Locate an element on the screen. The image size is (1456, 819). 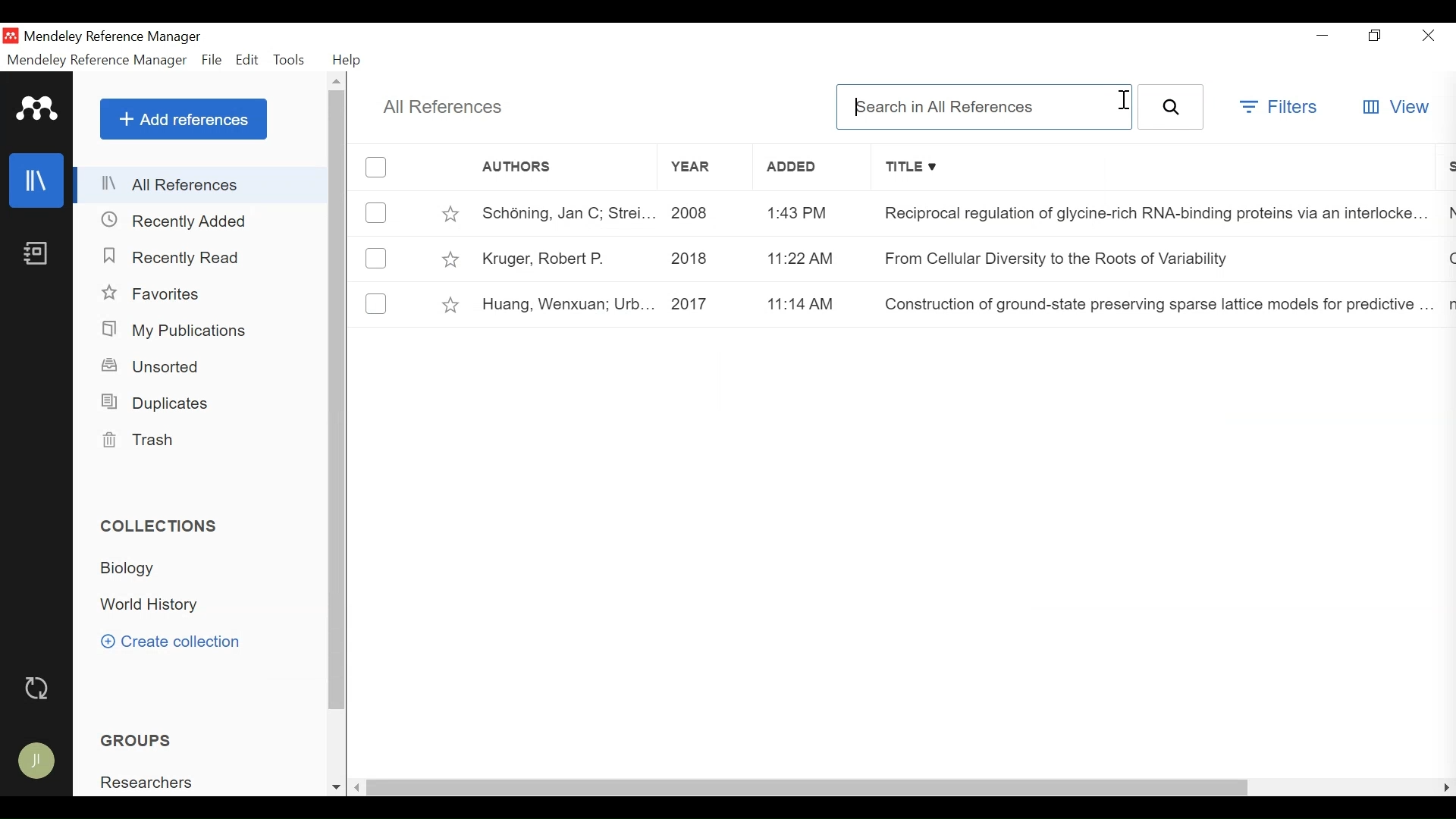
Create Collection is located at coordinates (170, 643).